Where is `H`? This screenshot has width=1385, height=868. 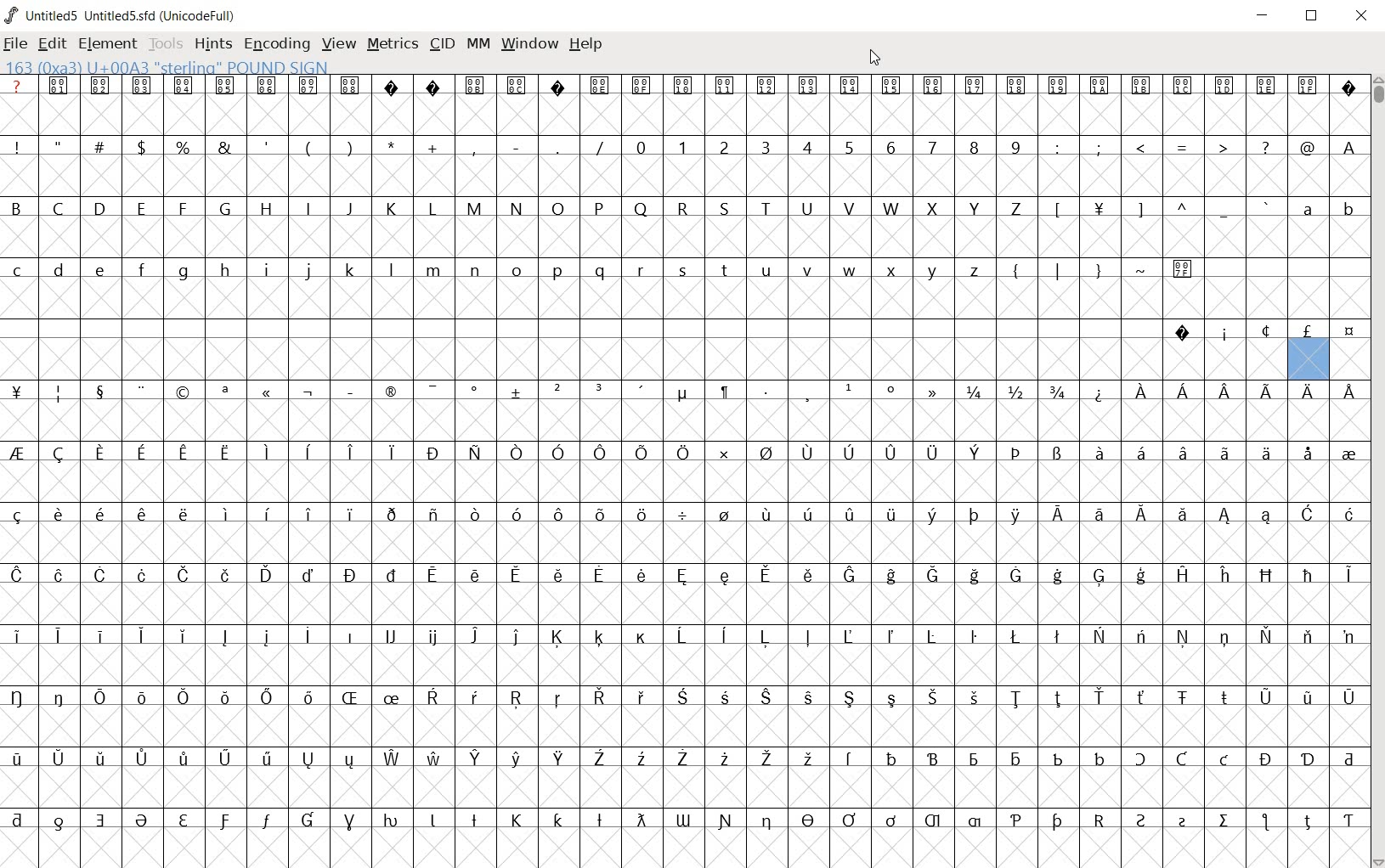
H is located at coordinates (267, 209).